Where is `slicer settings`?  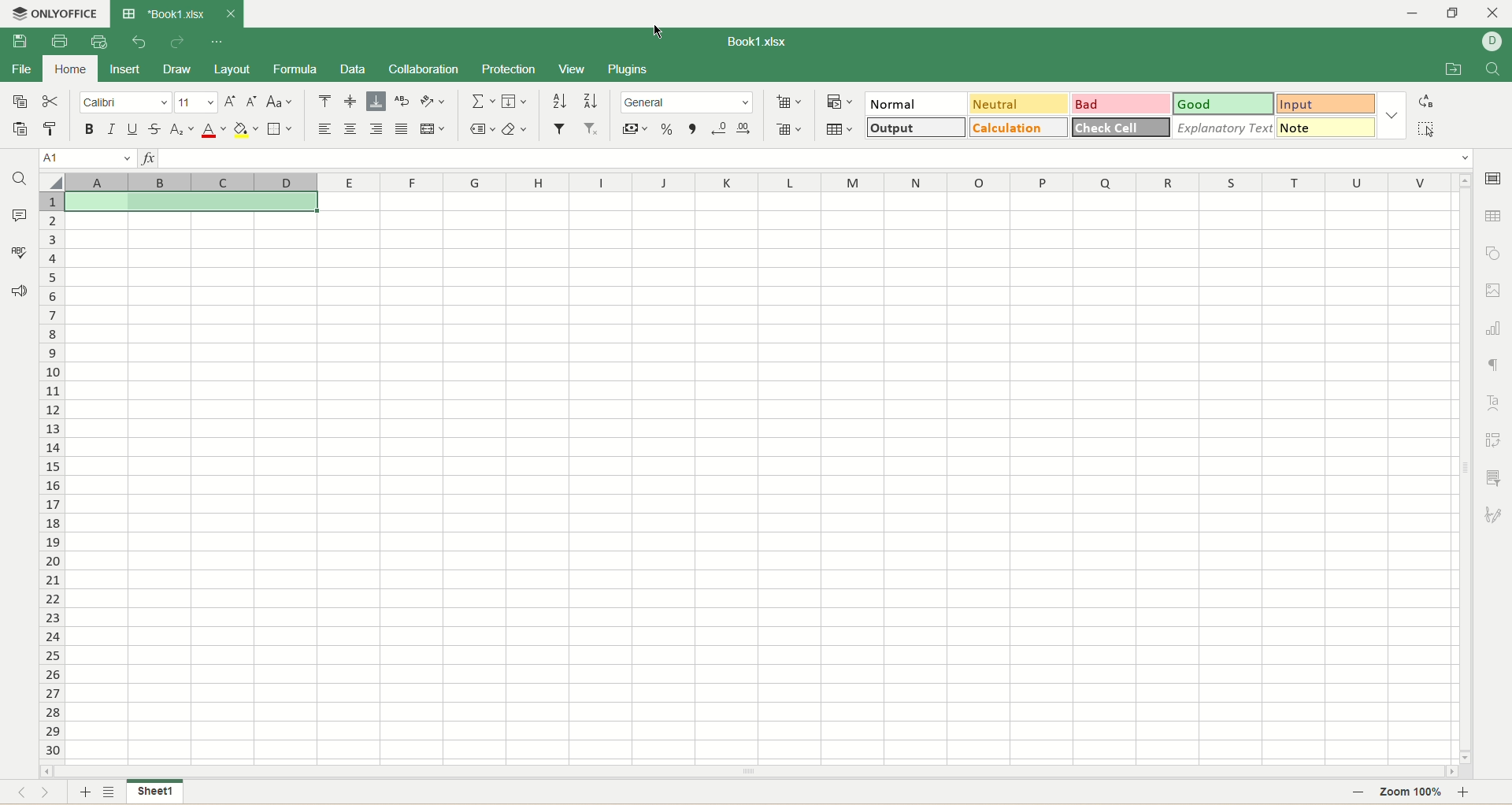 slicer settings is located at coordinates (1496, 478).